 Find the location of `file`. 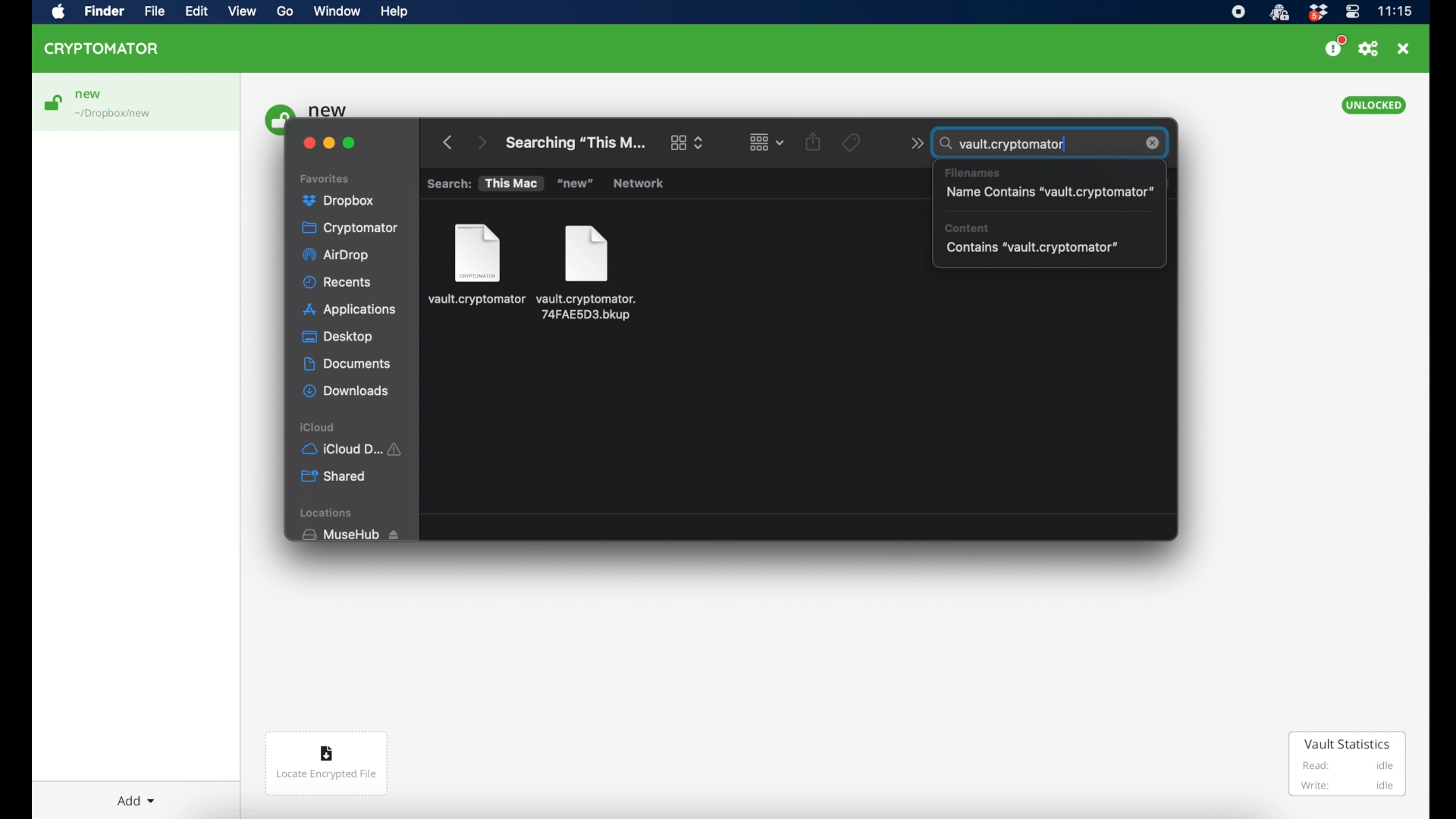

file is located at coordinates (587, 274).